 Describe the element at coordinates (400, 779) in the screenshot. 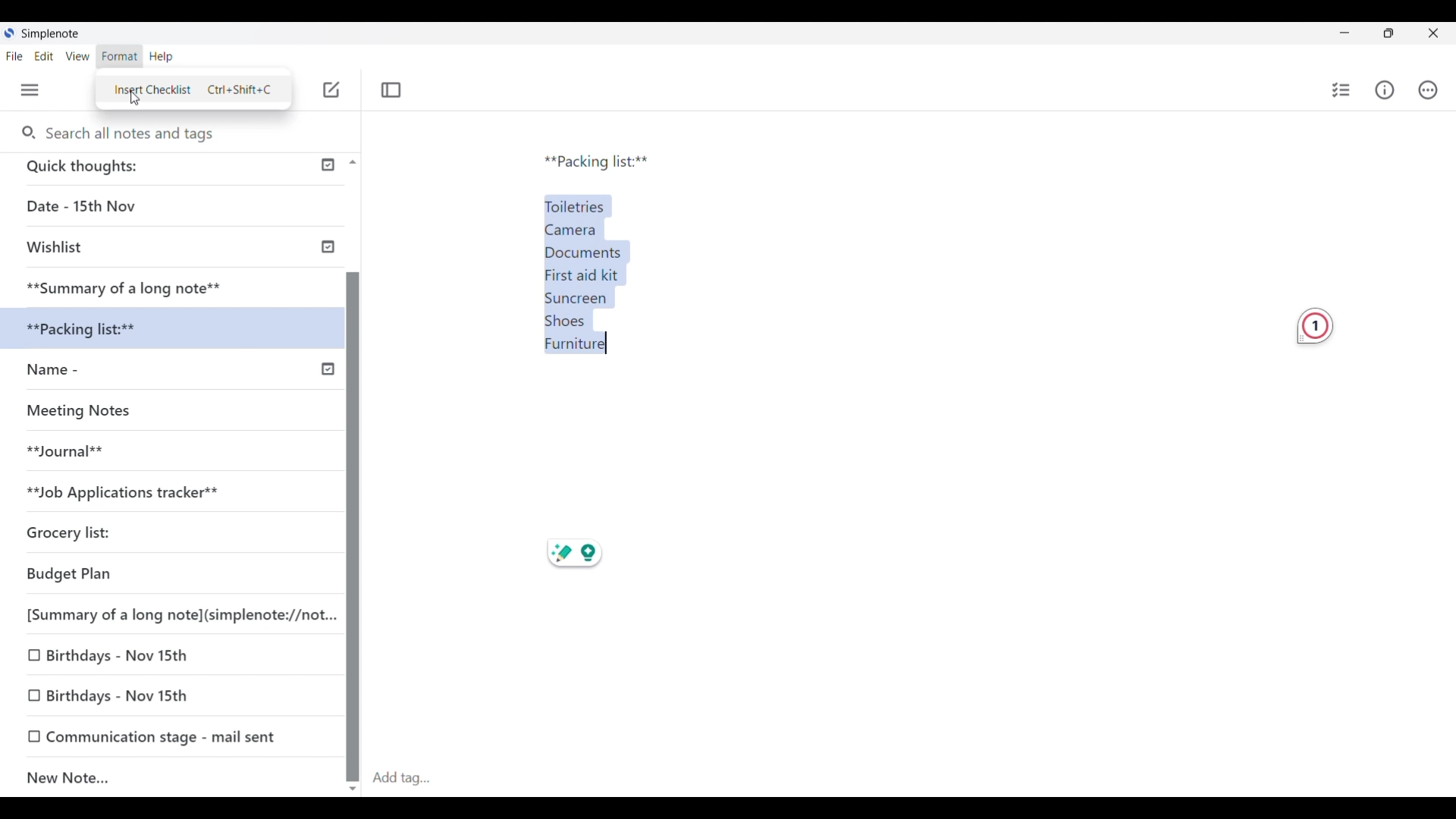

I see `Click to type in tag` at that location.